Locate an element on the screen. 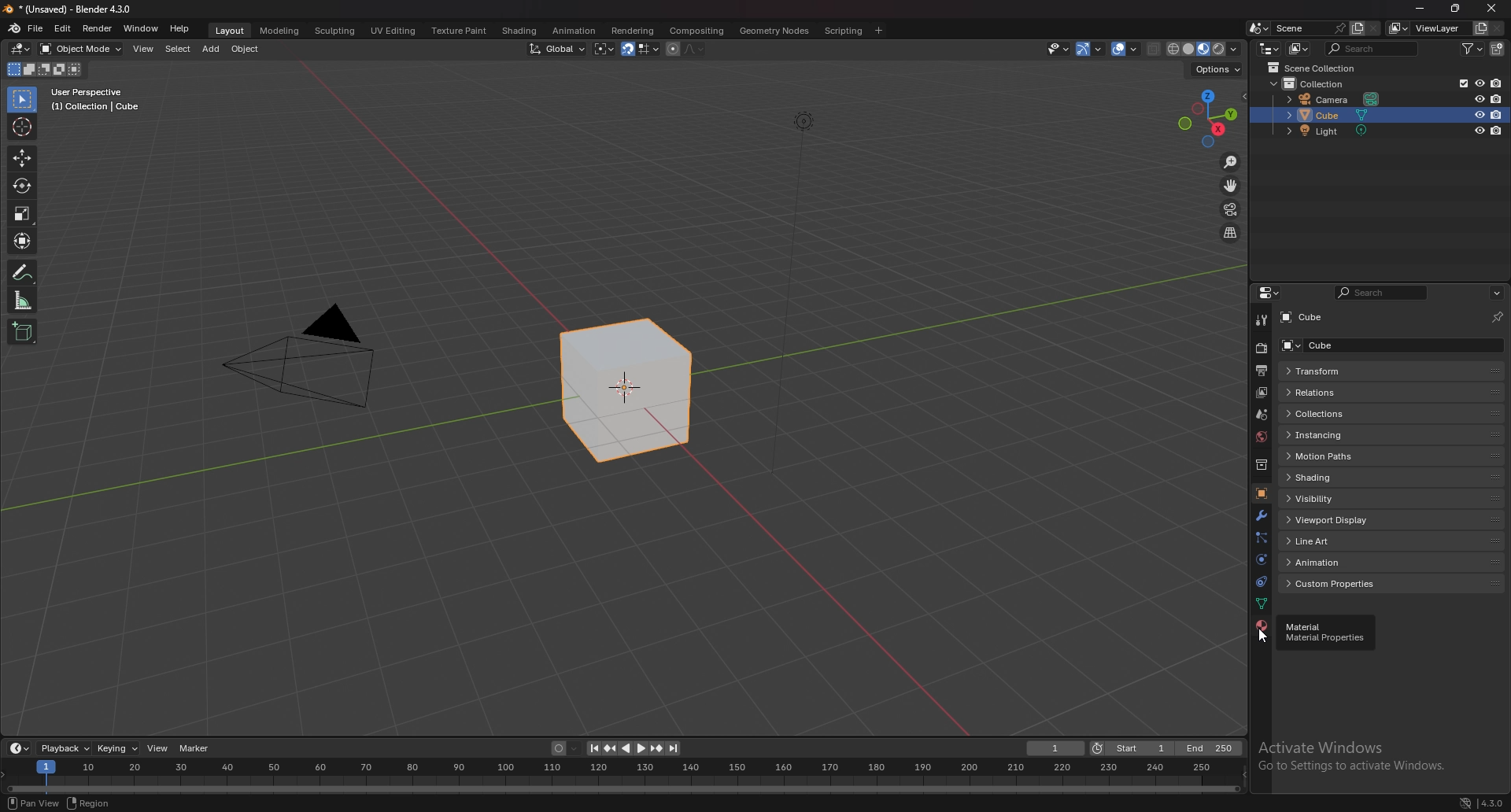 The height and width of the screenshot is (812, 1511). resize is located at coordinates (1455, 9).